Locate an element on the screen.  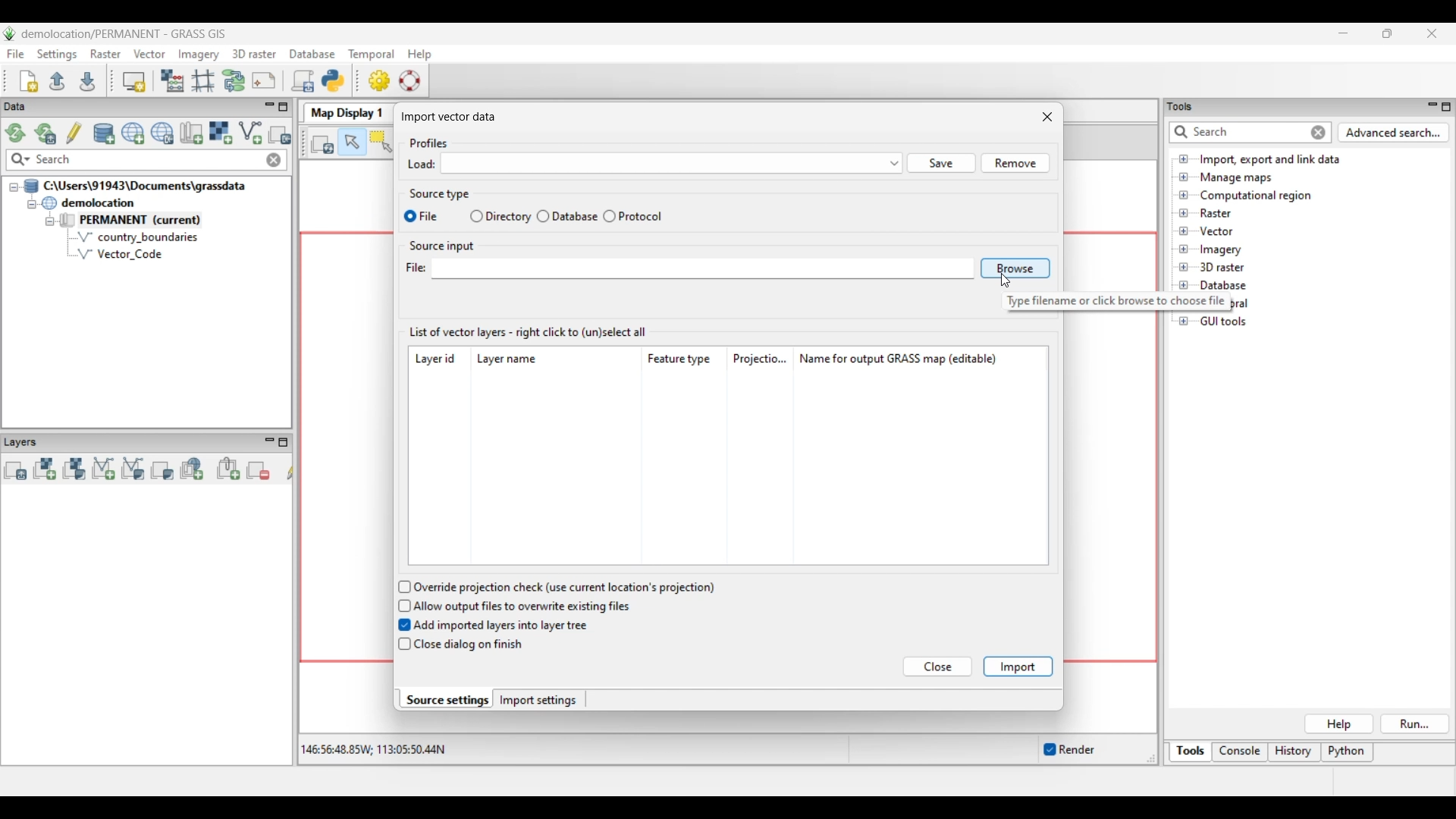
Add imported layers into layer tree is located at coordinates (501, 625).